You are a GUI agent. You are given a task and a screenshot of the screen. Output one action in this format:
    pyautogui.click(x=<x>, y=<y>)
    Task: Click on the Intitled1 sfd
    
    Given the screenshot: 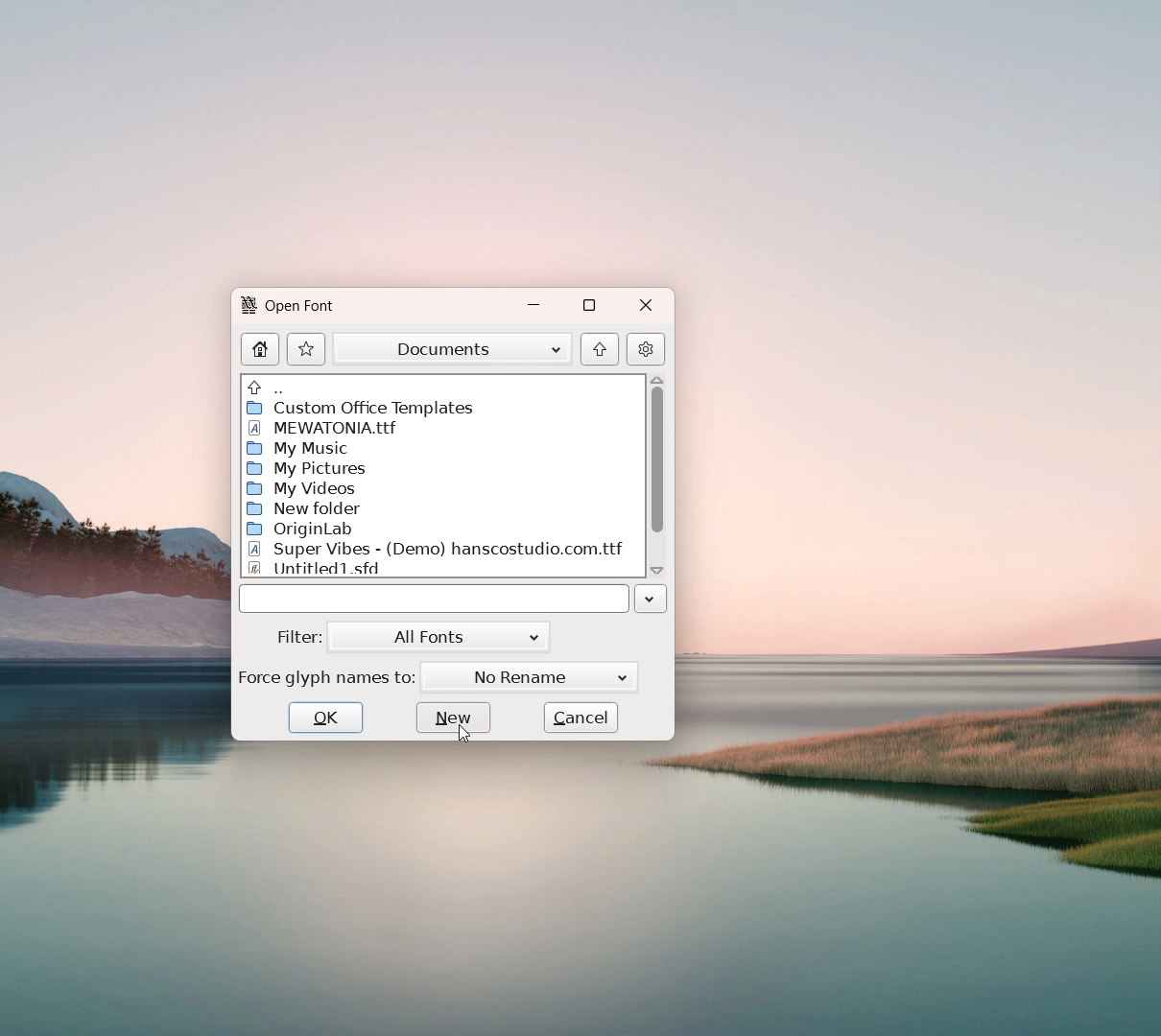 What is the action you would take?
    pyautogui.click(x=332, y=568)
    